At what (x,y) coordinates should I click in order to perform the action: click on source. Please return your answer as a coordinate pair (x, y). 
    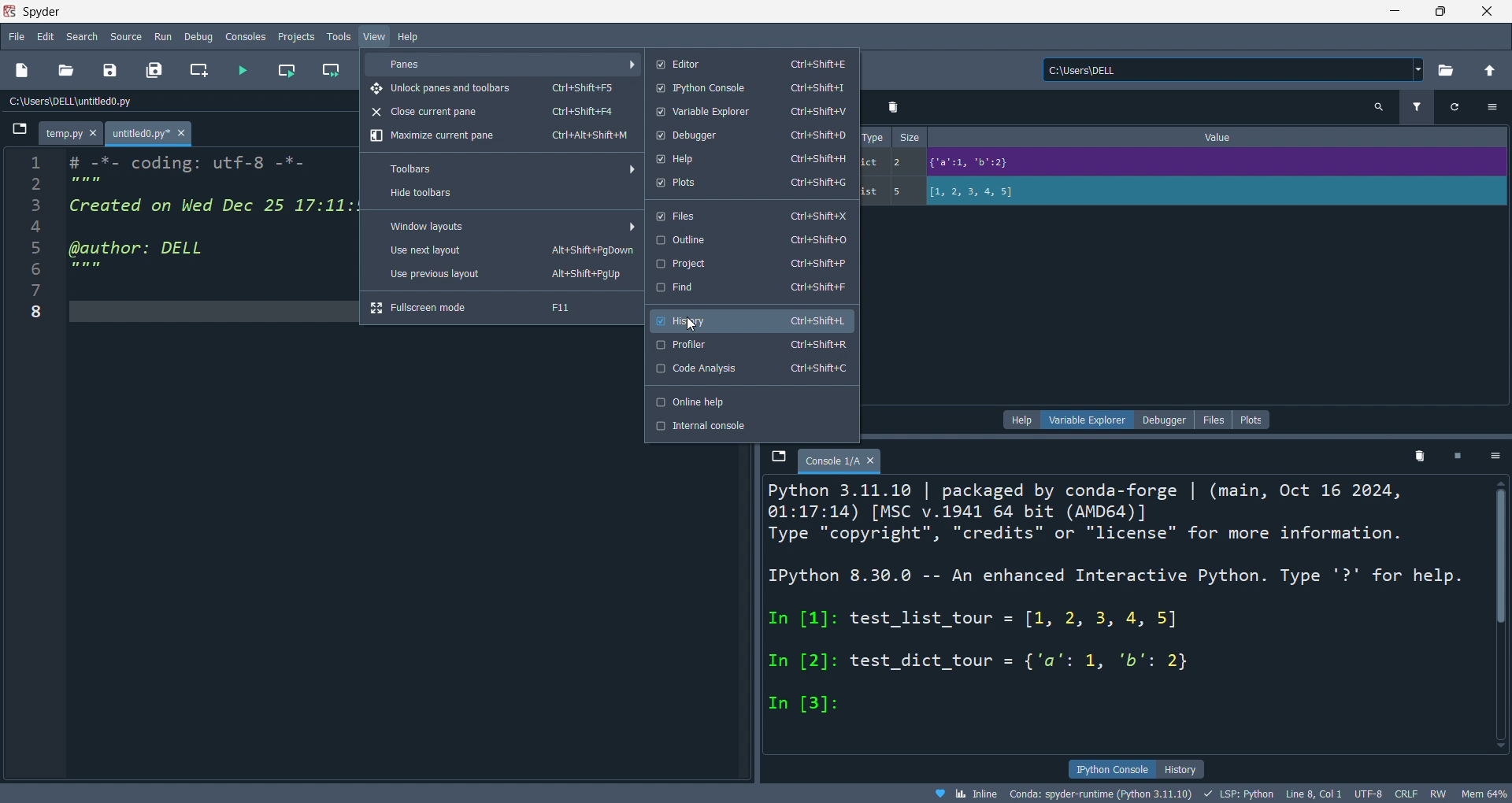
    Looking at the image, I should click on (125, 35).